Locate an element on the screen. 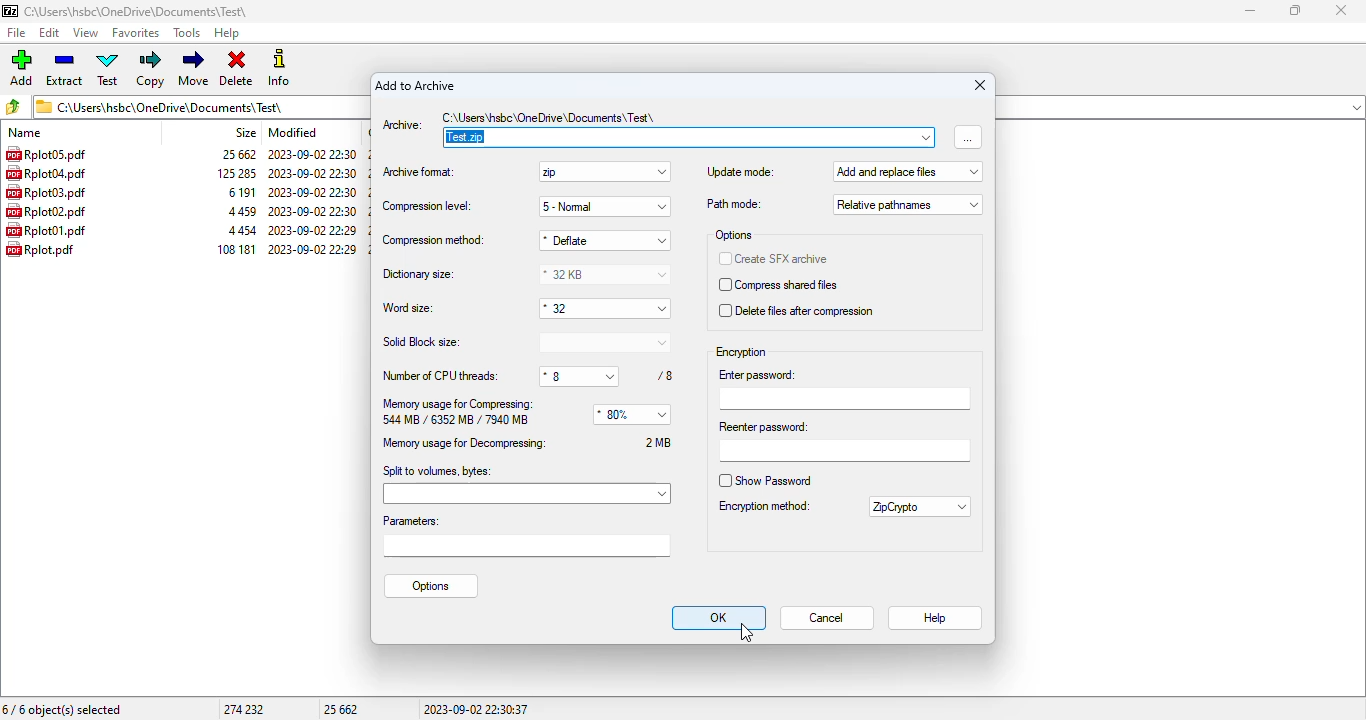 The image size is (1366, 720). * 80% is located at coordinates (631, 415).